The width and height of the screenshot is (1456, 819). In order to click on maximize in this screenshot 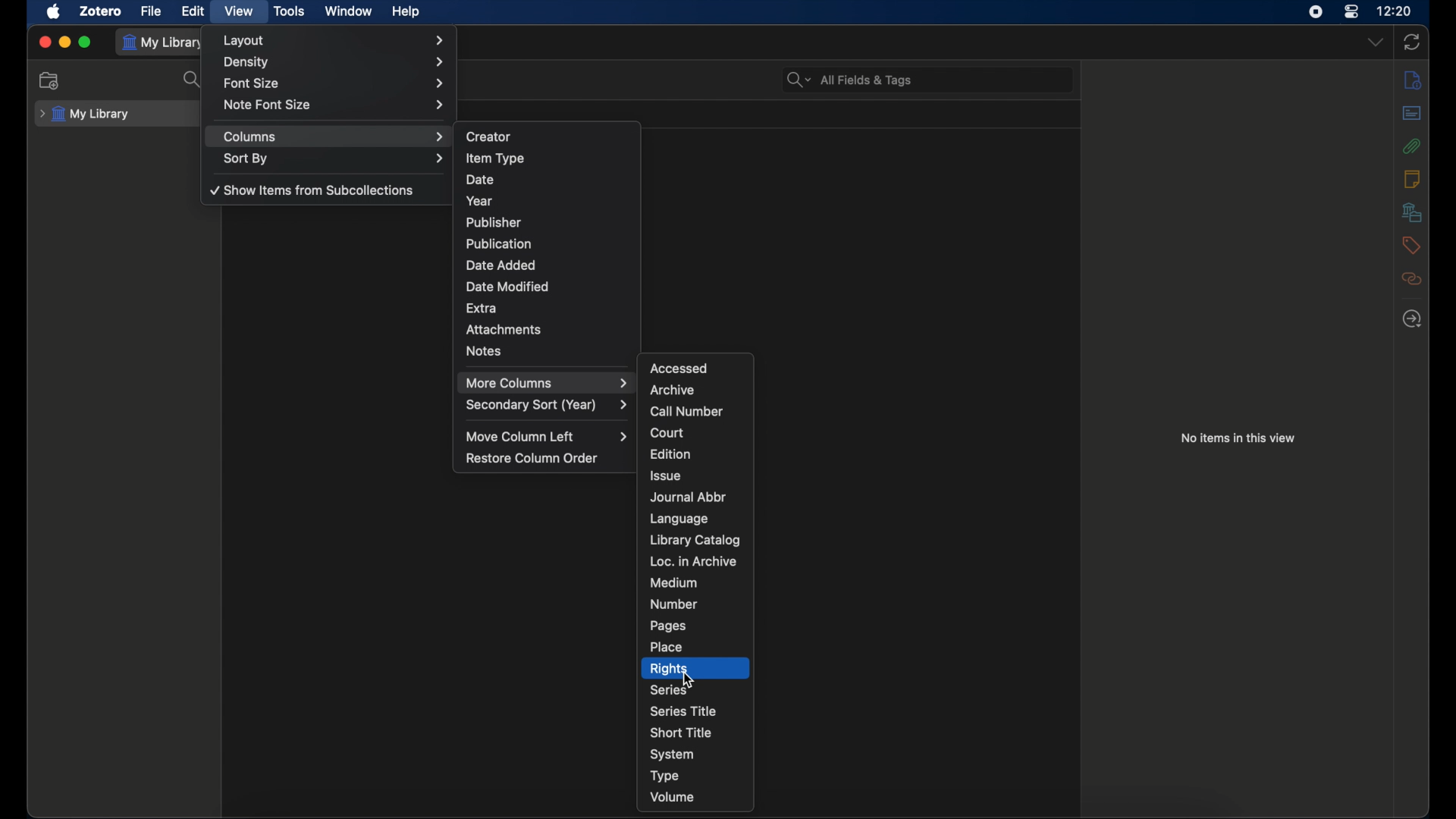, I will do `click(86, 42)`.